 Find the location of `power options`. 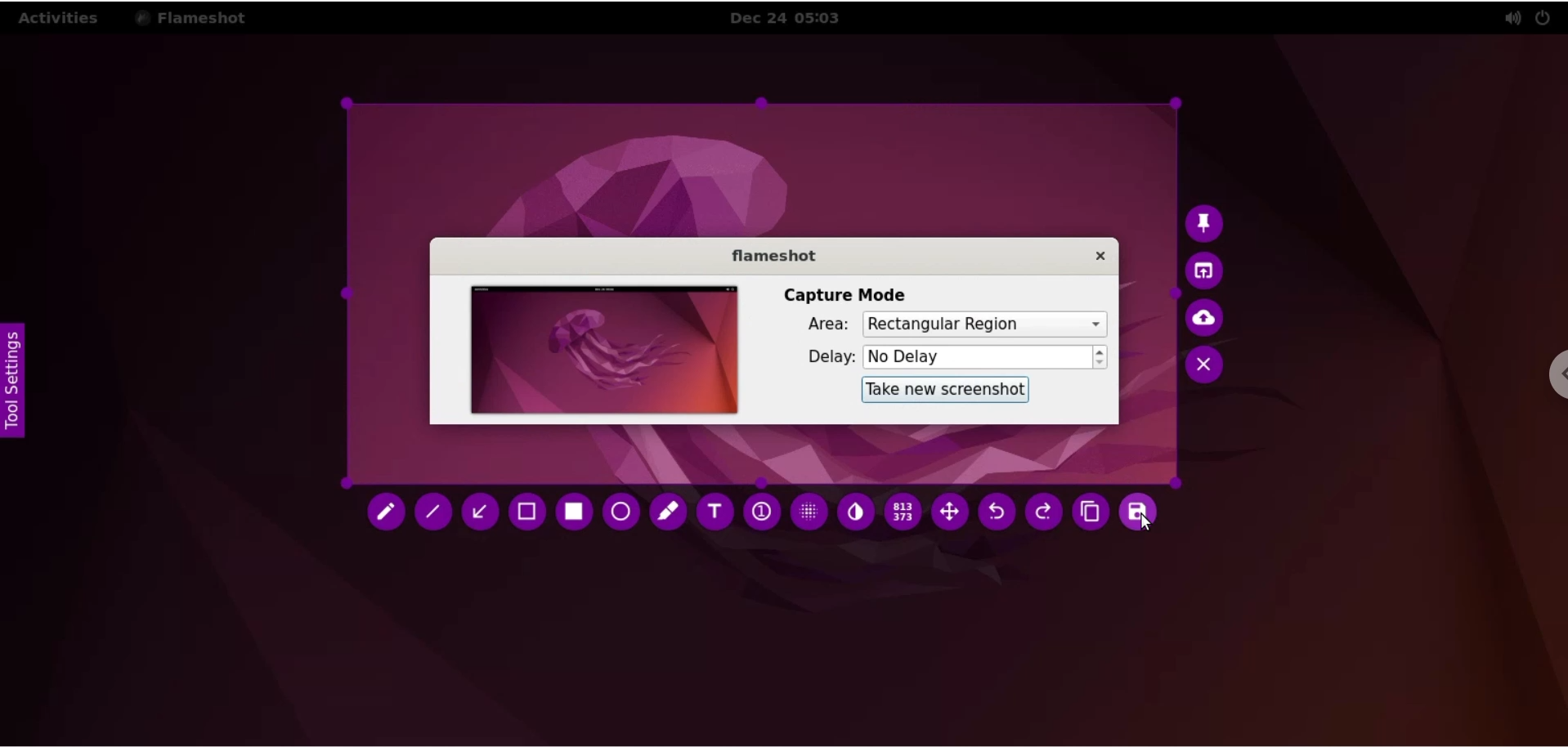

power options is located at coordinates (1547, 16).